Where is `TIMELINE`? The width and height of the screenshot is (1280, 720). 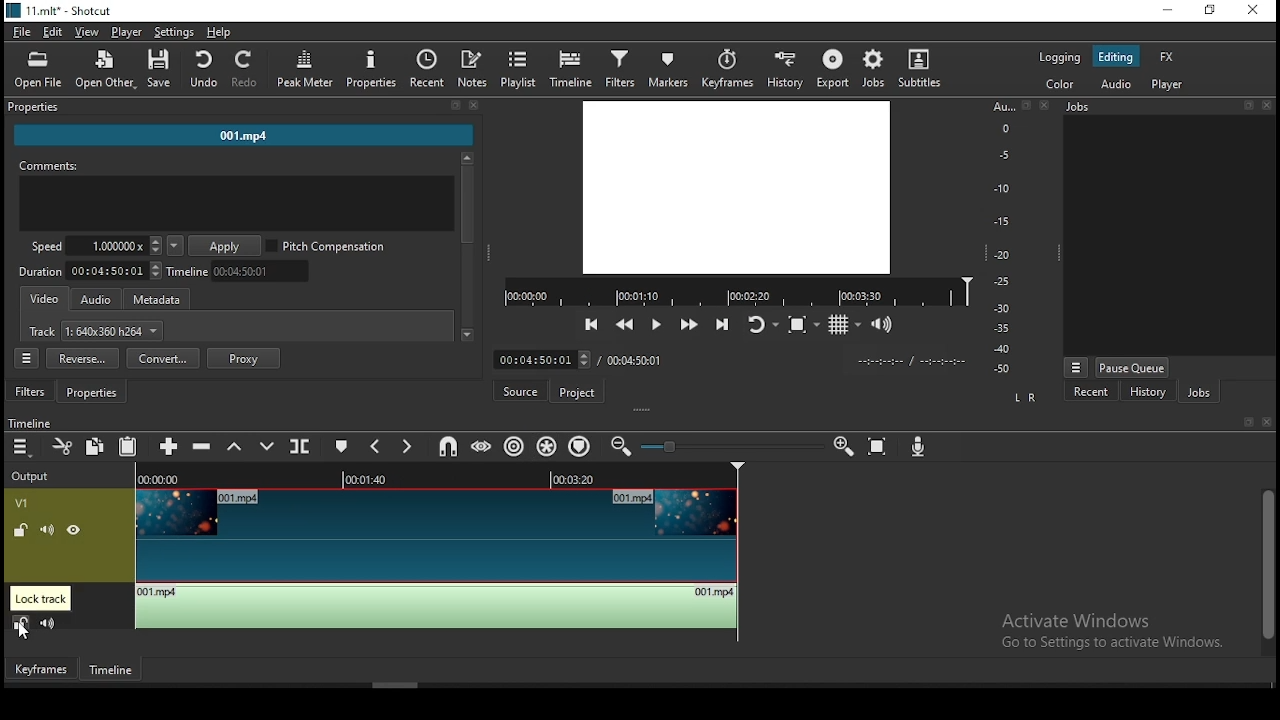
TIMELINE is located at coordinates (442, 476).